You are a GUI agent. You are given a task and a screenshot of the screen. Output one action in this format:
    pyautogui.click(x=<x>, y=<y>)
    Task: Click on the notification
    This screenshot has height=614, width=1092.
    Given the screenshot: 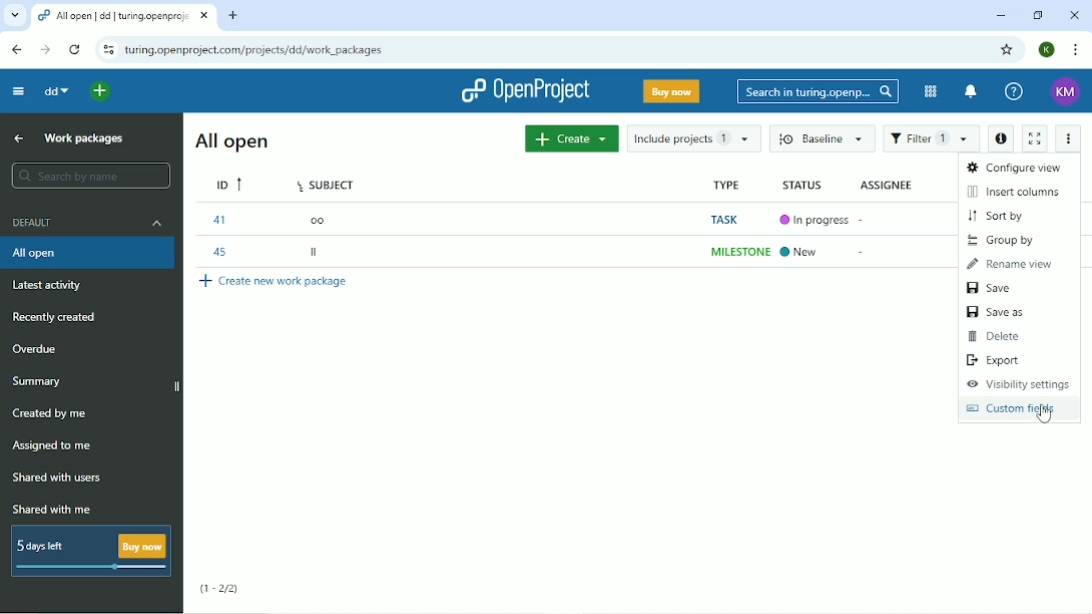 What is the action you would take?
    pyautogui.click(x=972, y=92)
    